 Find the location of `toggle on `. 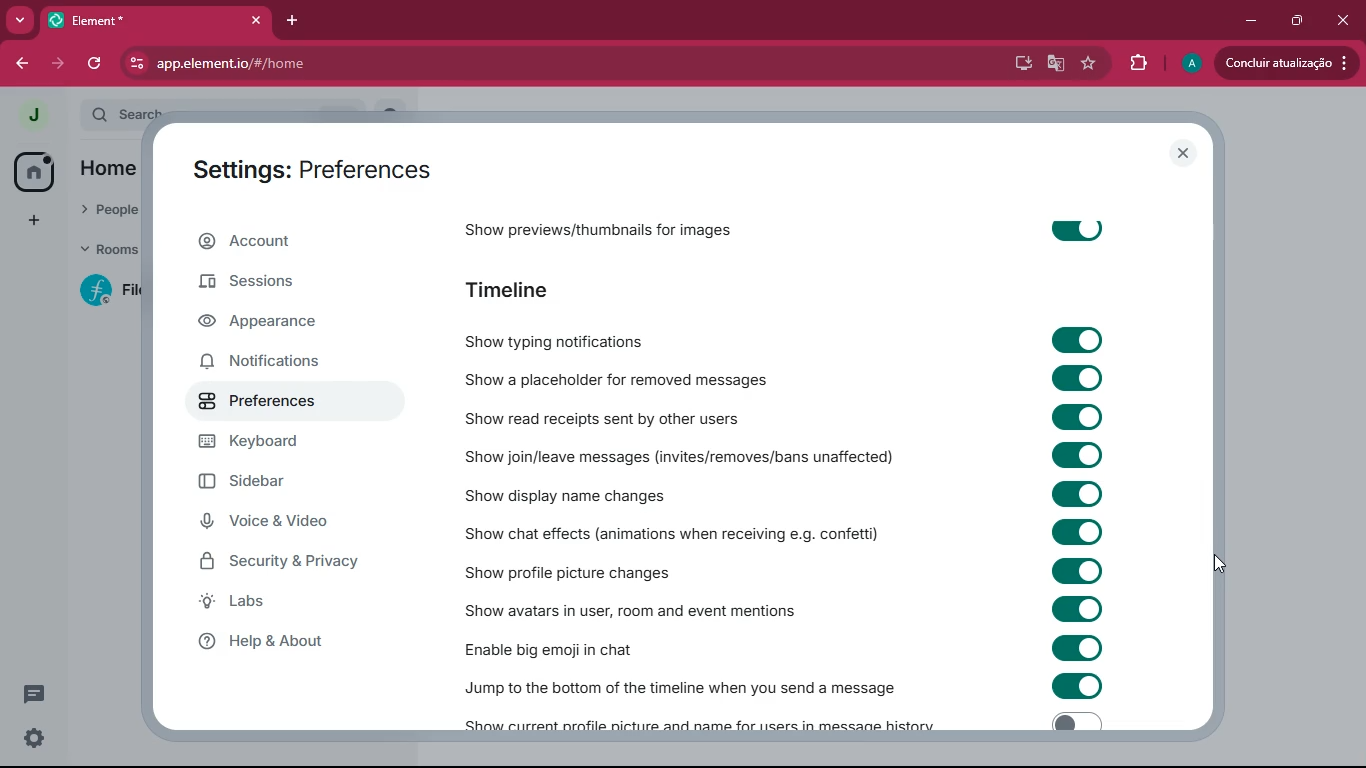

toggle on  is located at coordinates (1077, 646).